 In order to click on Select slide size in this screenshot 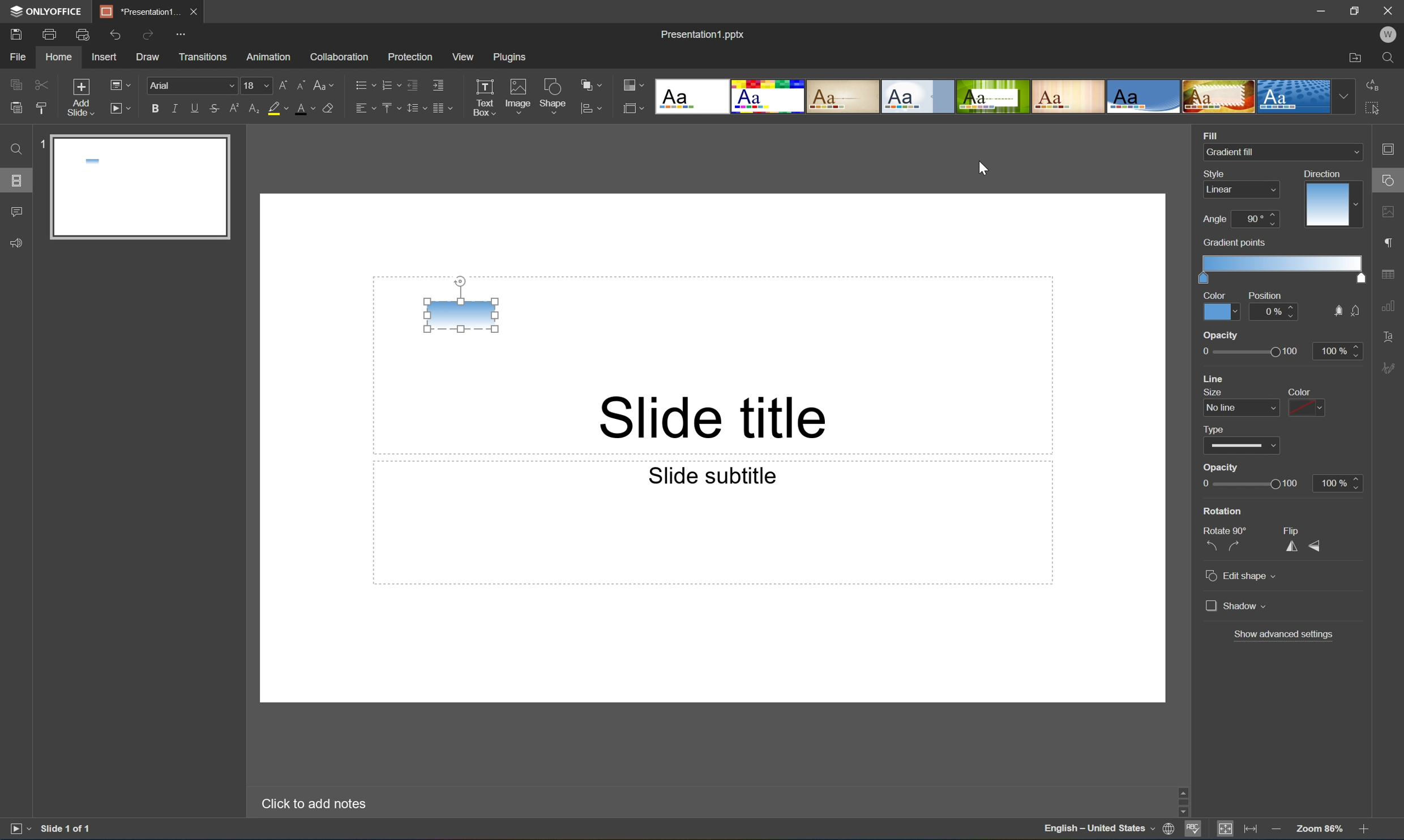, I will do `click(633, 110)`.